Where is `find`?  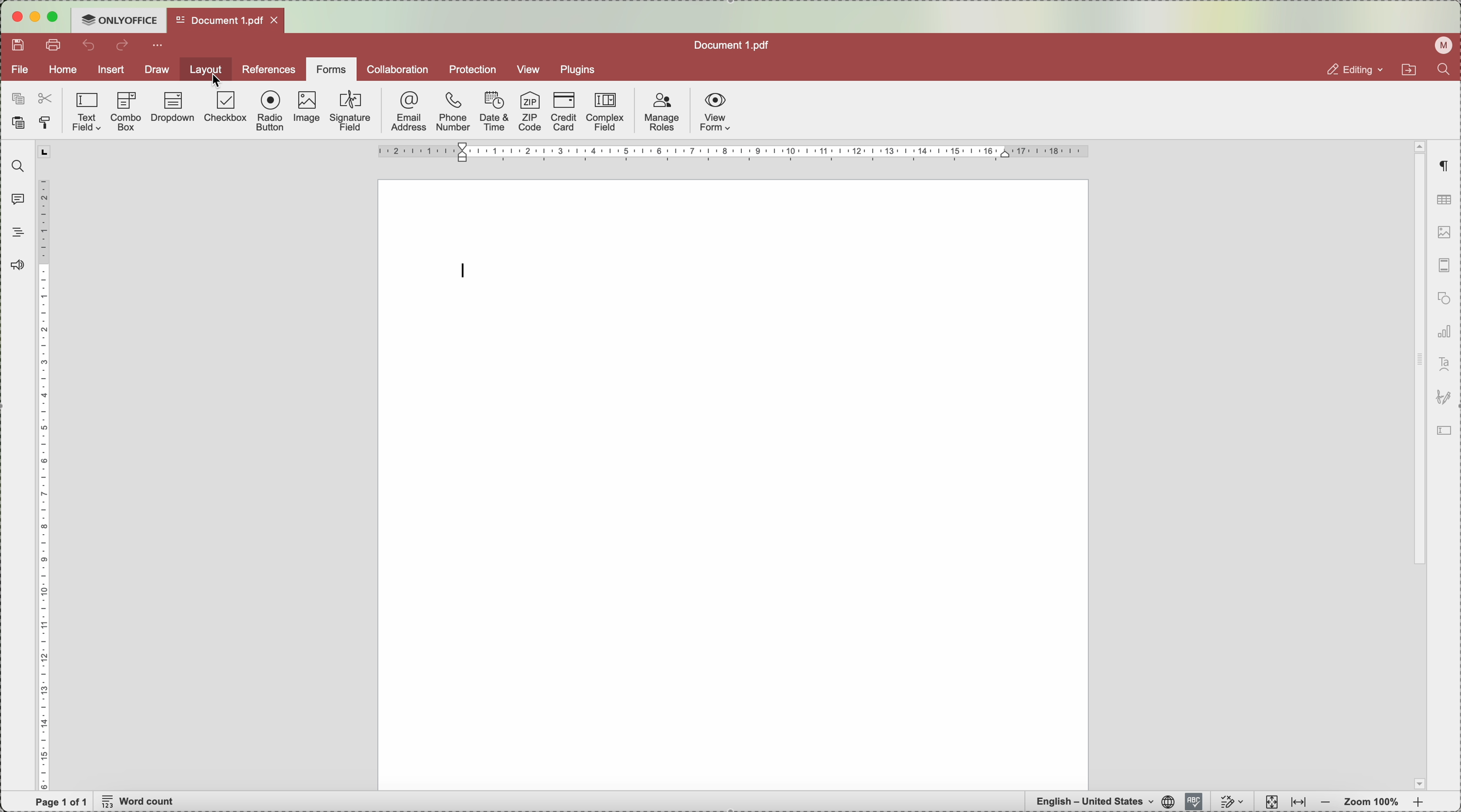
find is located at coordinates (15, 166).